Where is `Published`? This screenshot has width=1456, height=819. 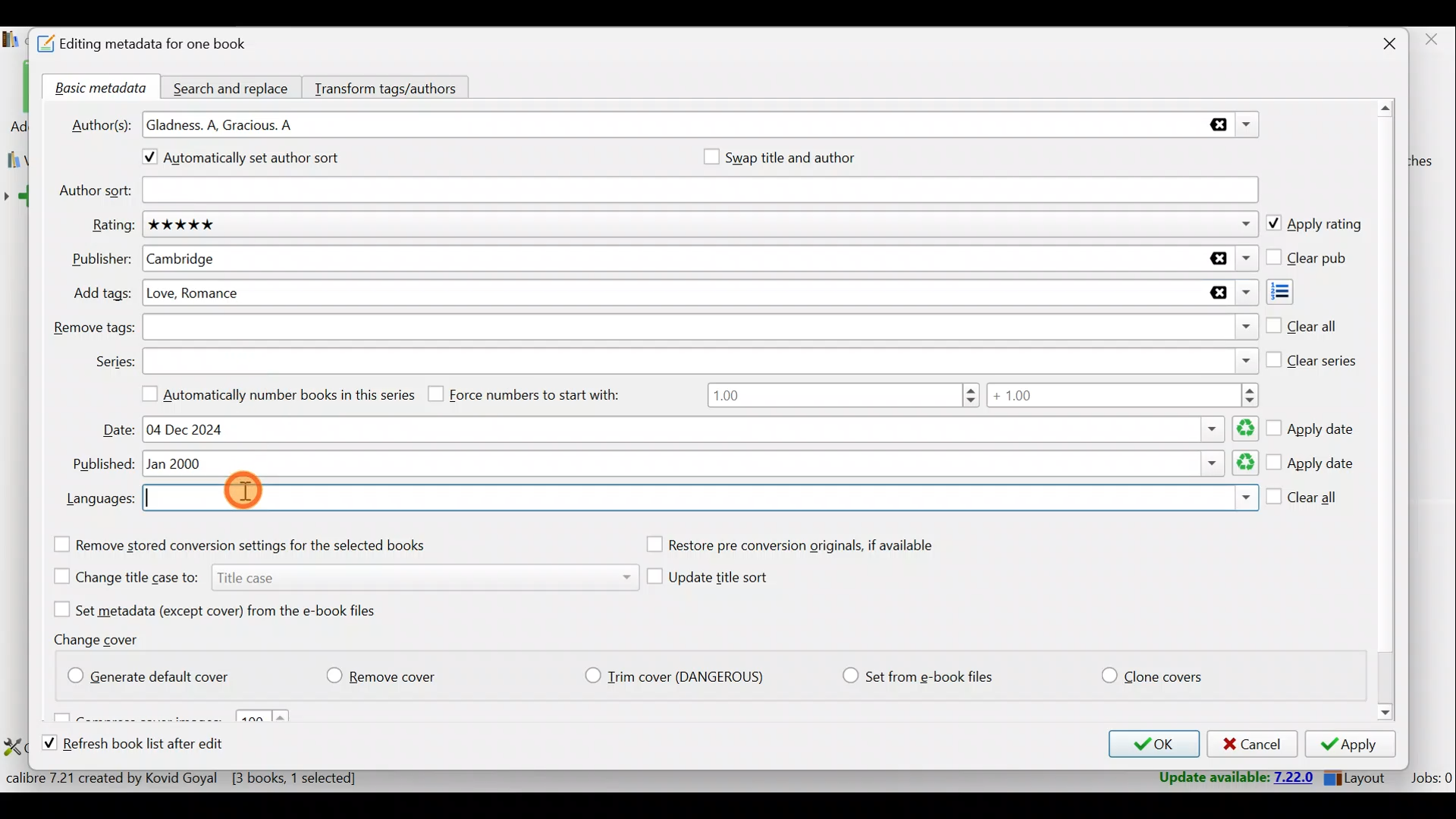 Published is located at coordinates (701, 465).